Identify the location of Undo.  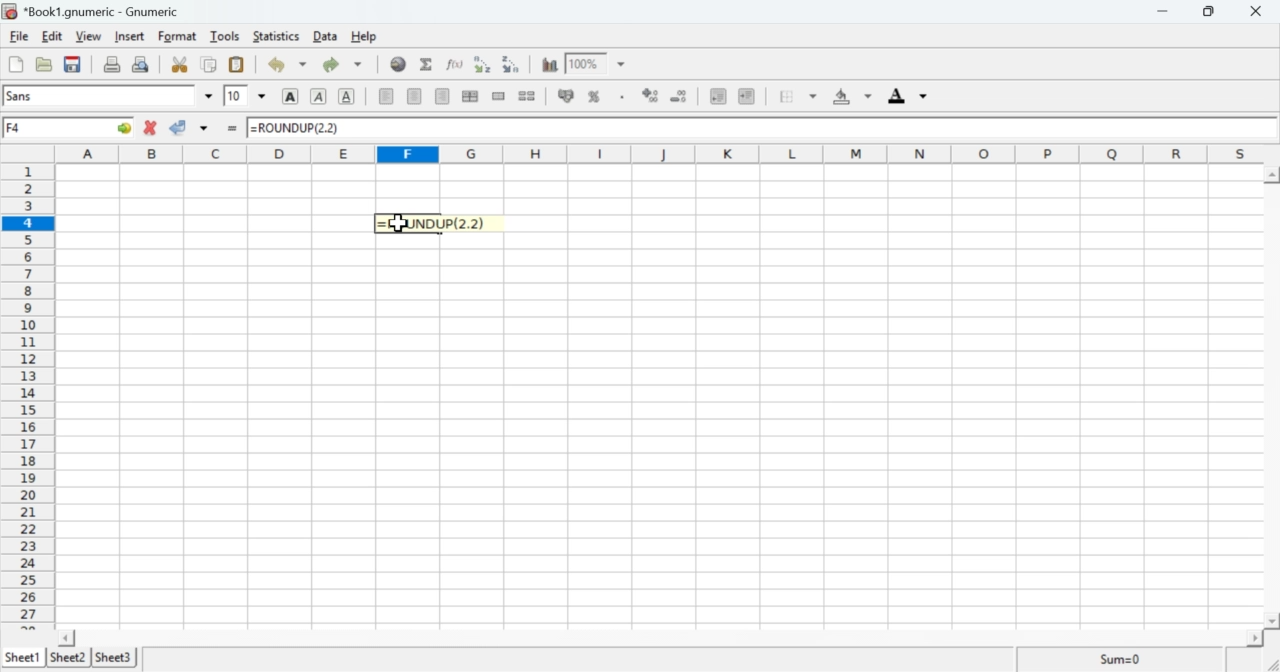
(279, 64).